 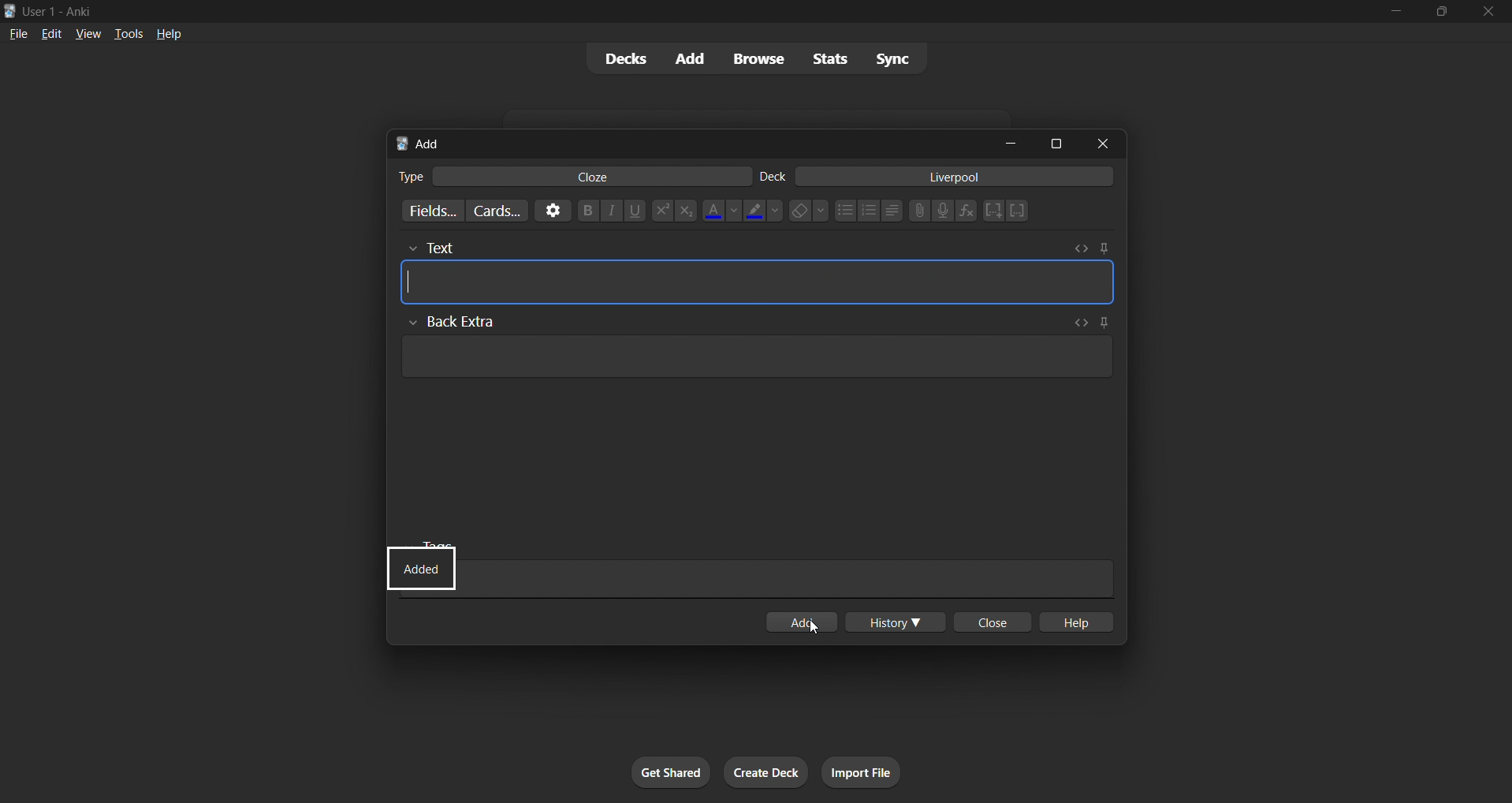 I want to click on options, so click(x=557, y=213).